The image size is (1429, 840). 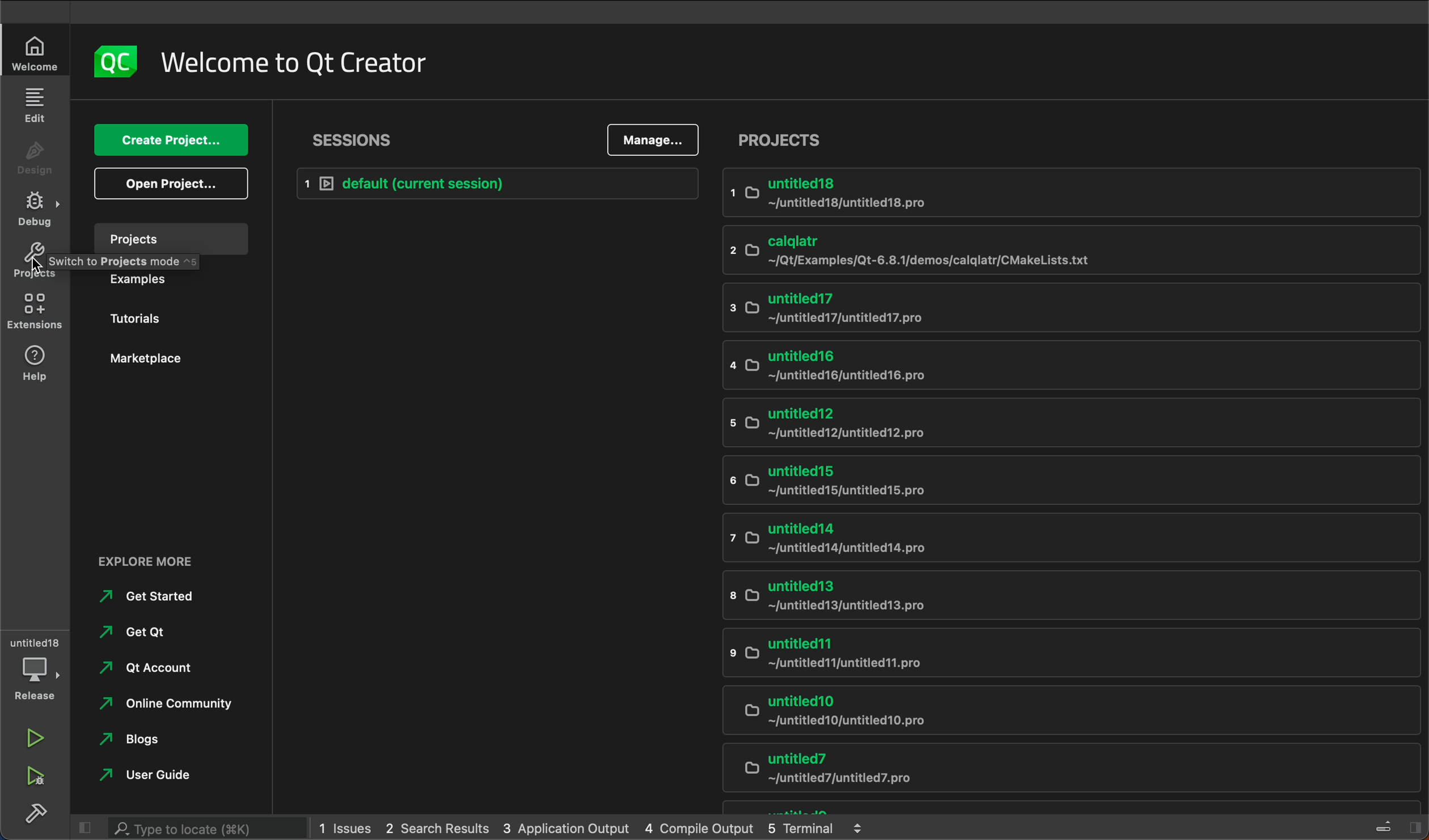 What do you see at coordinates (167, 141) in the screenshot?
I see `create project...` at bounding box center [167, 141].